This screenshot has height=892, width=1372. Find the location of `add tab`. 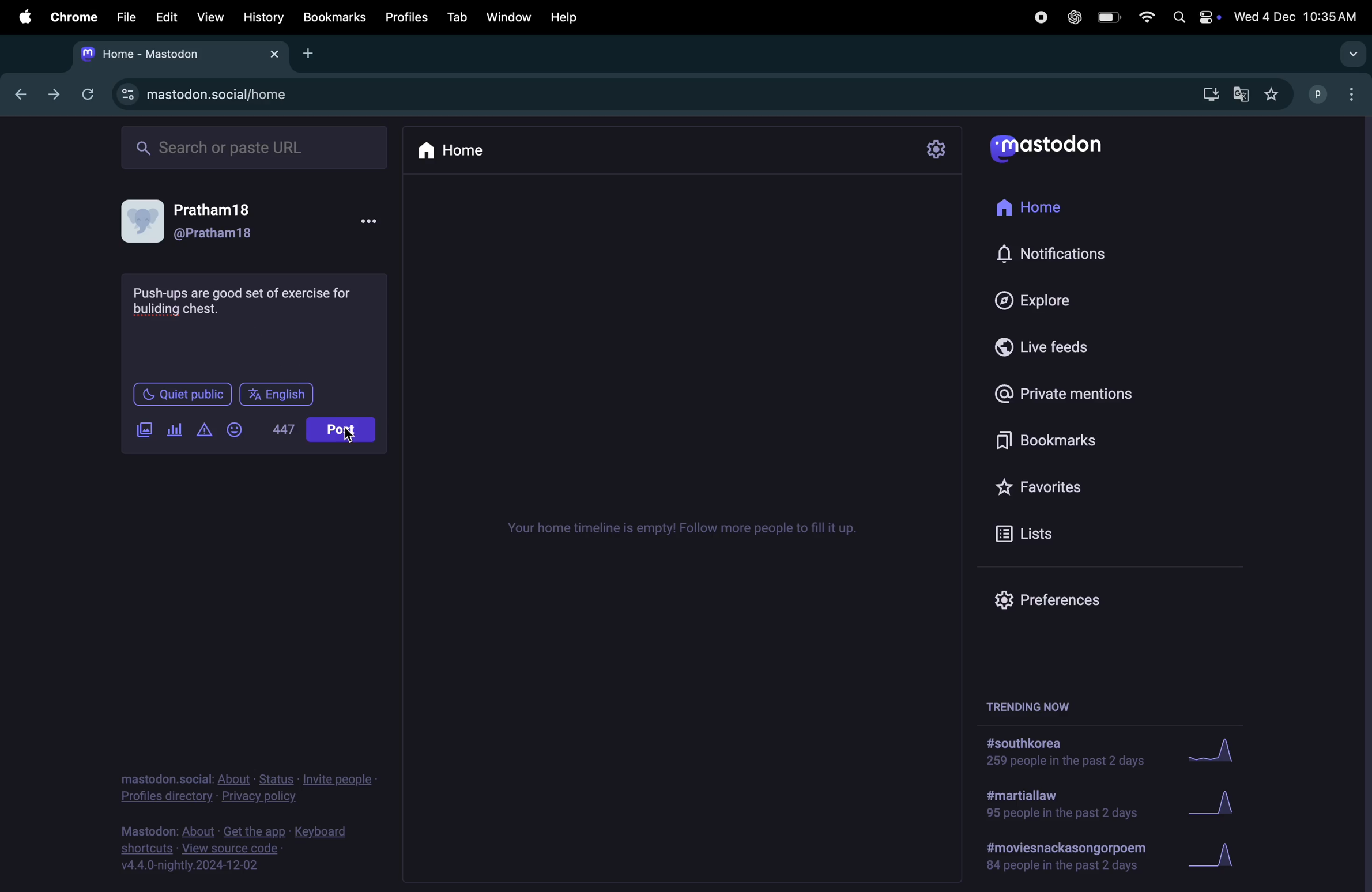

add tab is located at coordinates (310, 52).